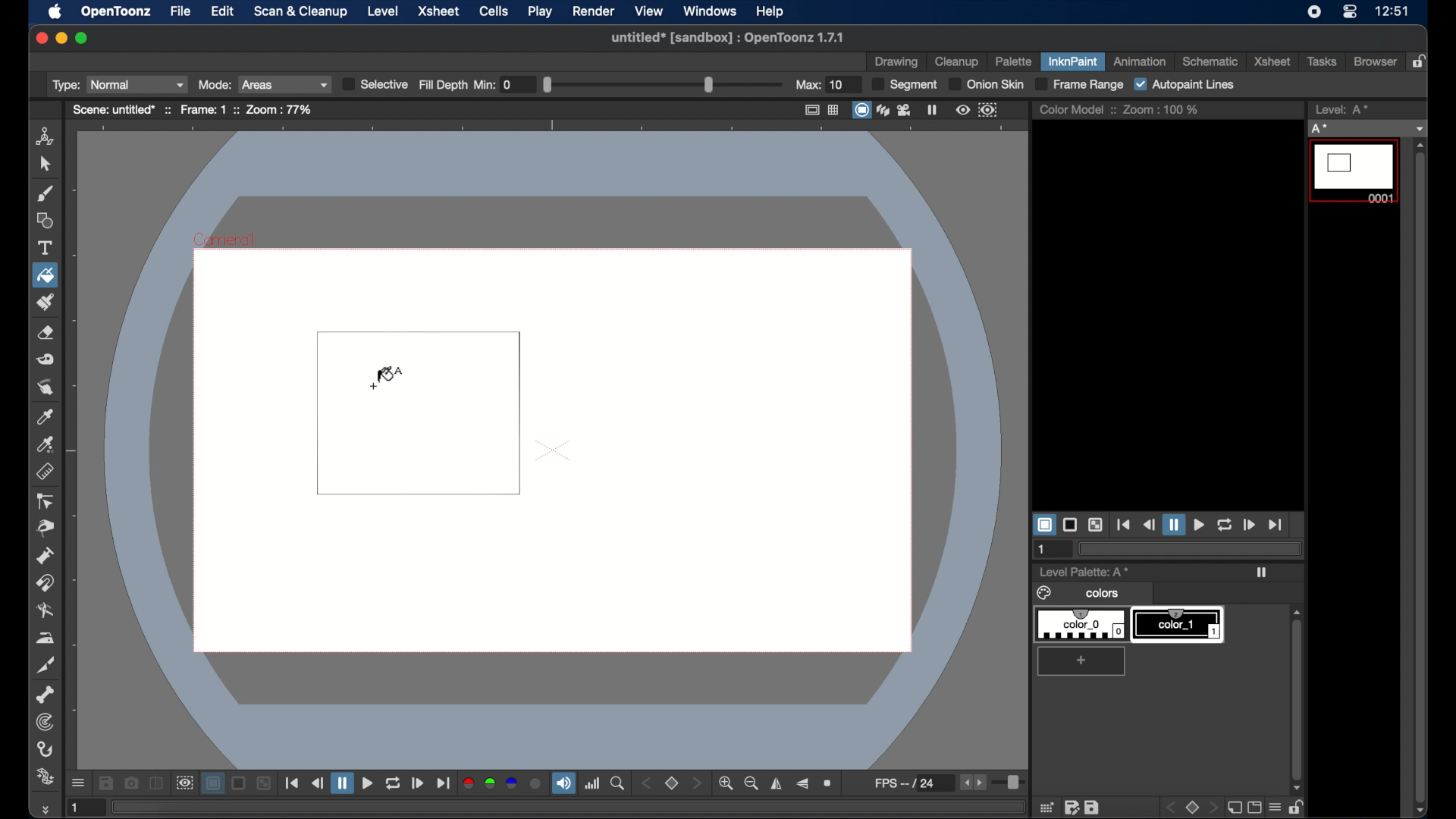 This screenshot has height=819, width=1456. I want to click on more, so click(44, 809).